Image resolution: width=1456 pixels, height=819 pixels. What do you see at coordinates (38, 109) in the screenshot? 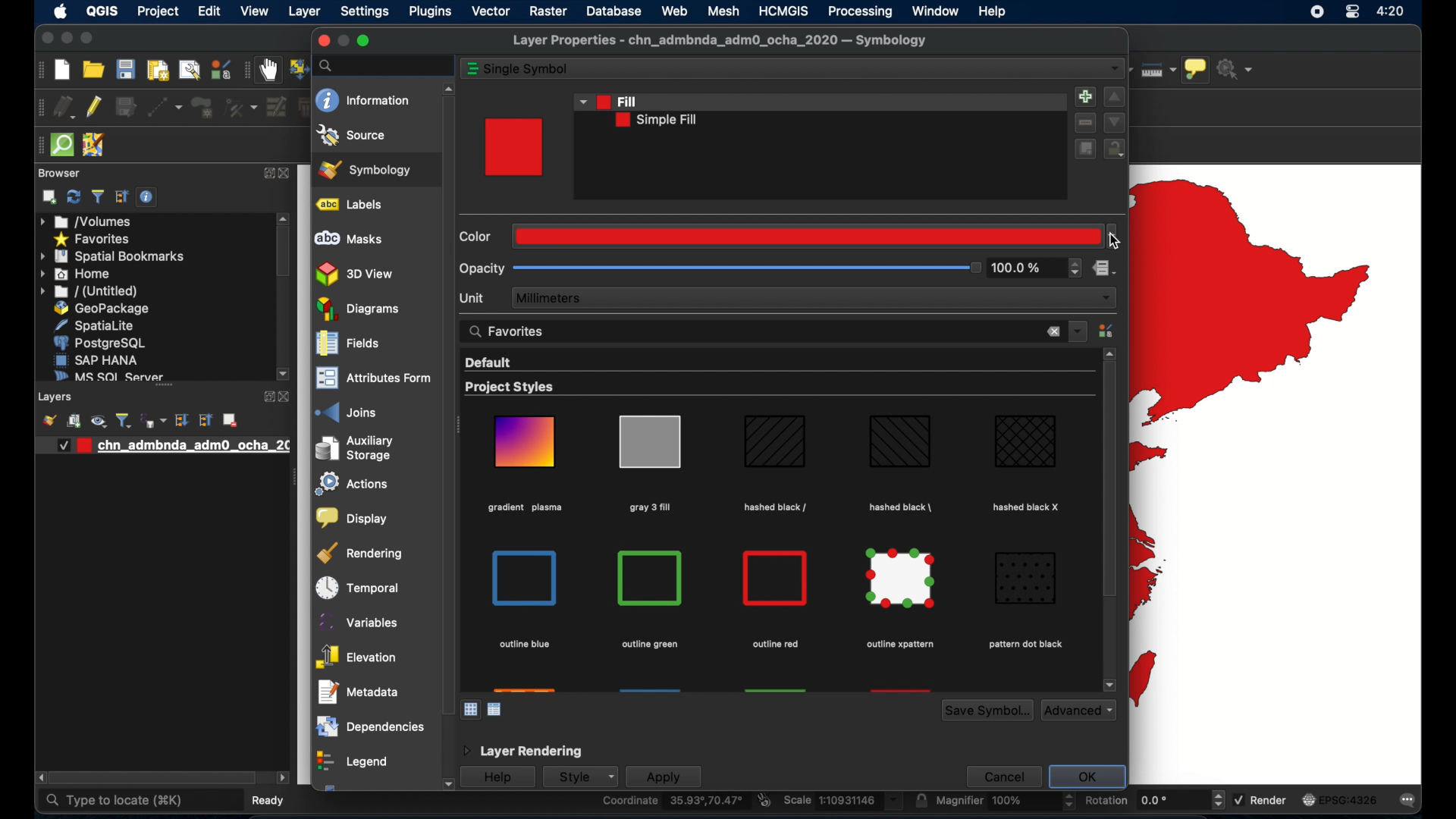
I see `digitizing toolbar` at bounding box center [38, 109].